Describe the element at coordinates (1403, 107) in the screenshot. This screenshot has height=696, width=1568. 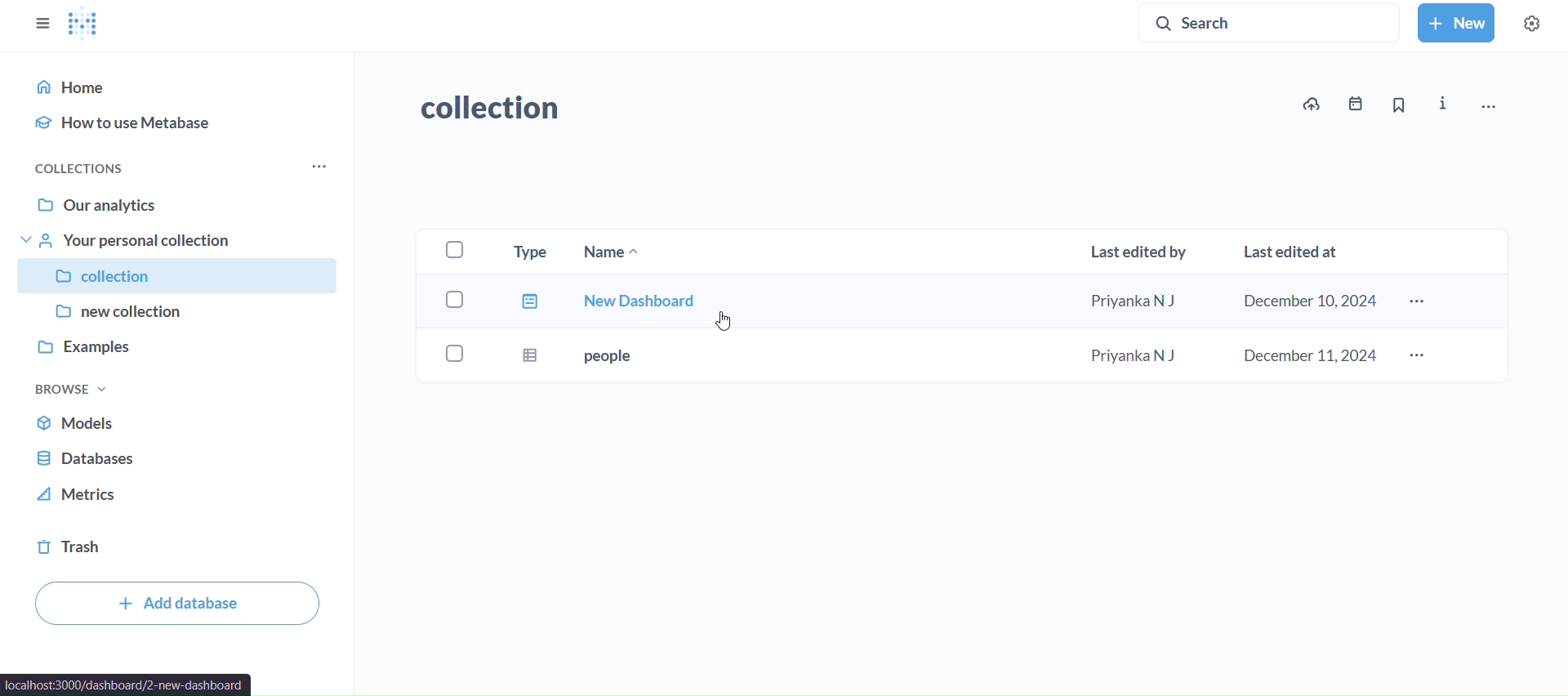
I see `bookmarks` at that location.